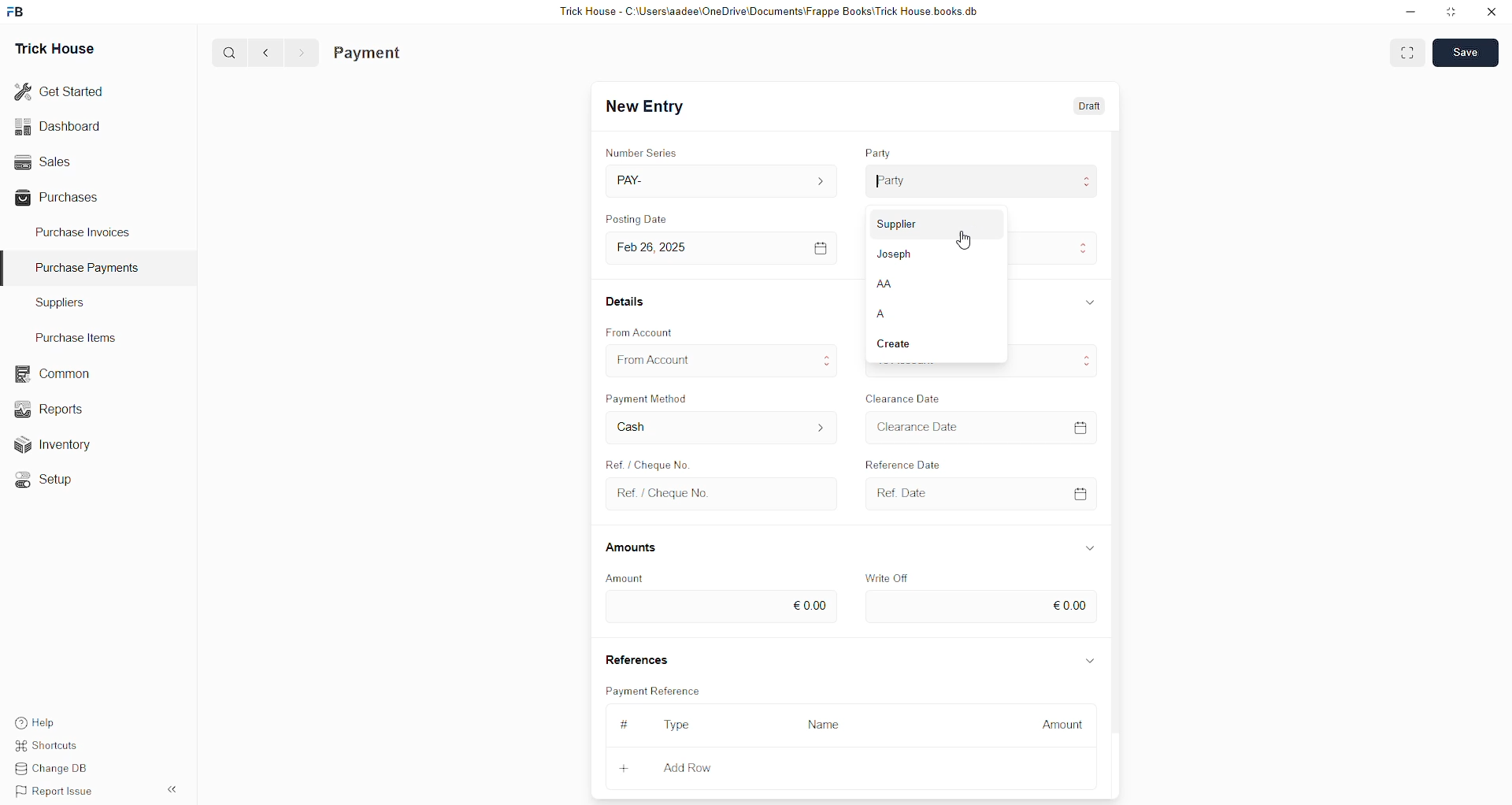 The width and height of the screenshot is (1512, 805). What do you see at coordinates (687, 767) in the screenshot?
I see `Add Row` at bounding box center [687, 767].